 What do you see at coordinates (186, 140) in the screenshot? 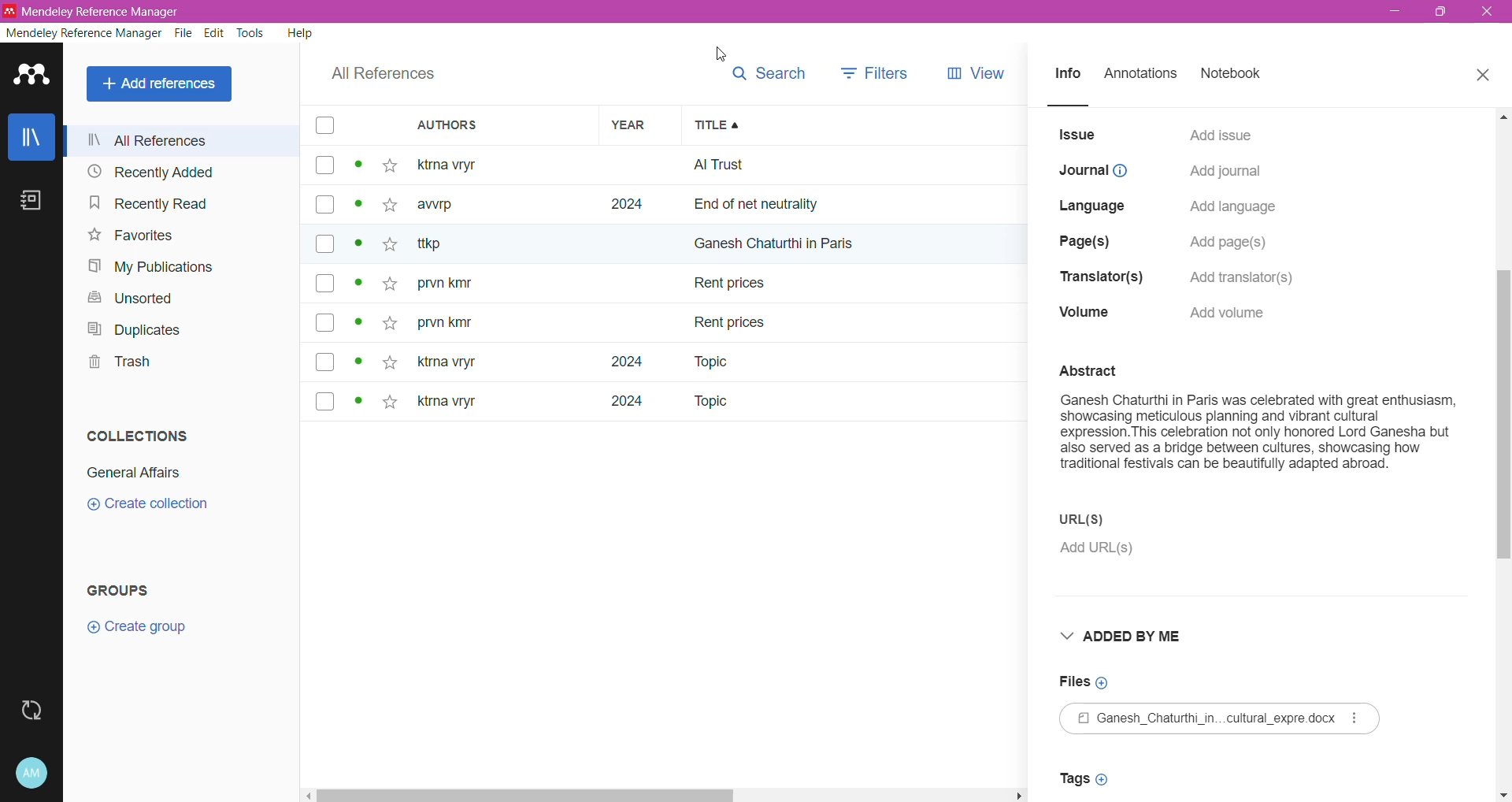
I see `All References` at bounding box center [186, 140].